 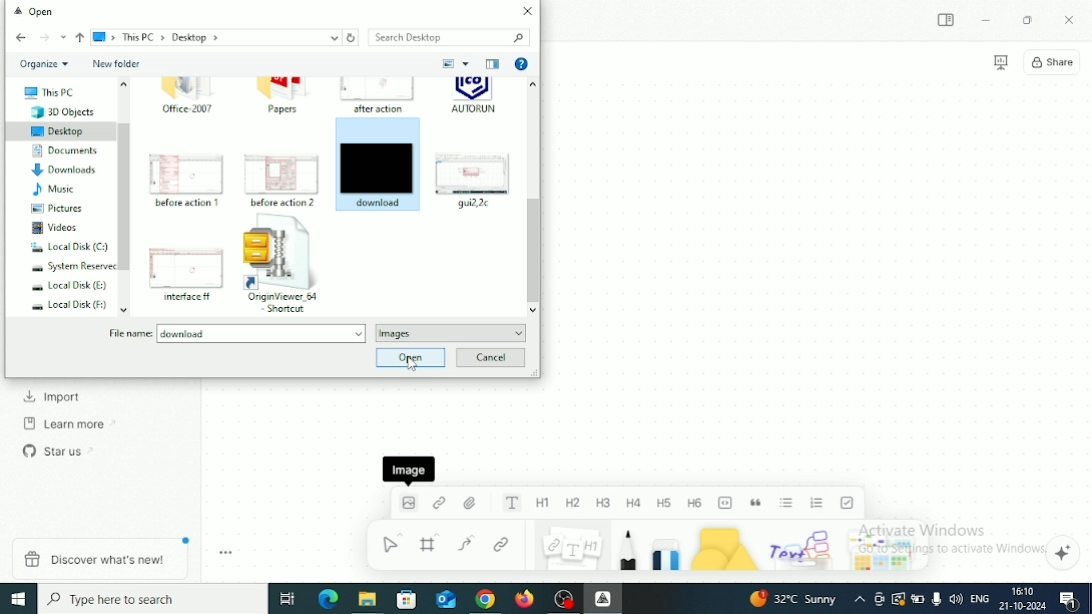 I want to click on after action, so click(x=377, y=96).